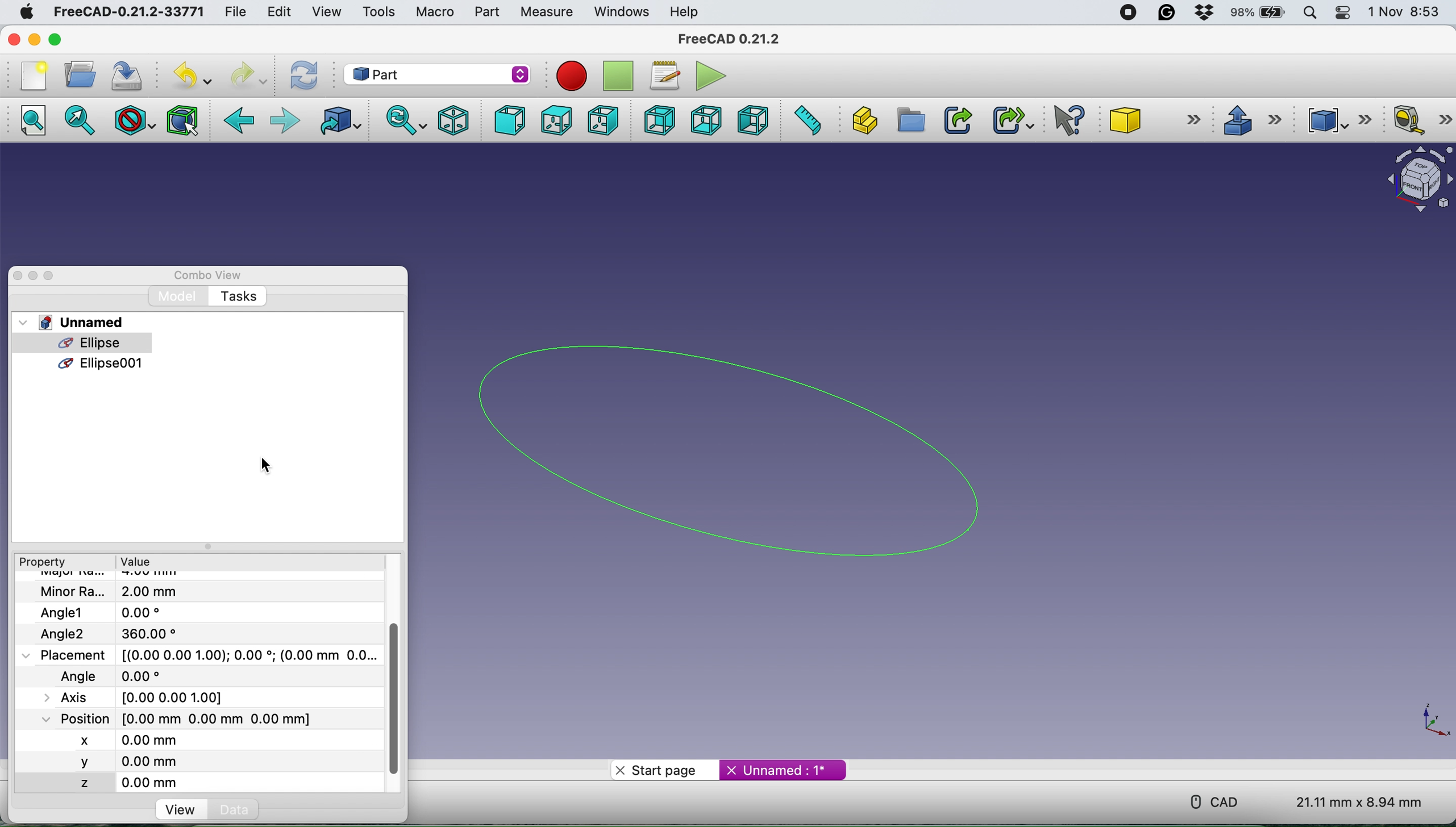  What do you see at coordinates (80, 74) in the screenshot?
I see `open` at bounding box center [80, 74].